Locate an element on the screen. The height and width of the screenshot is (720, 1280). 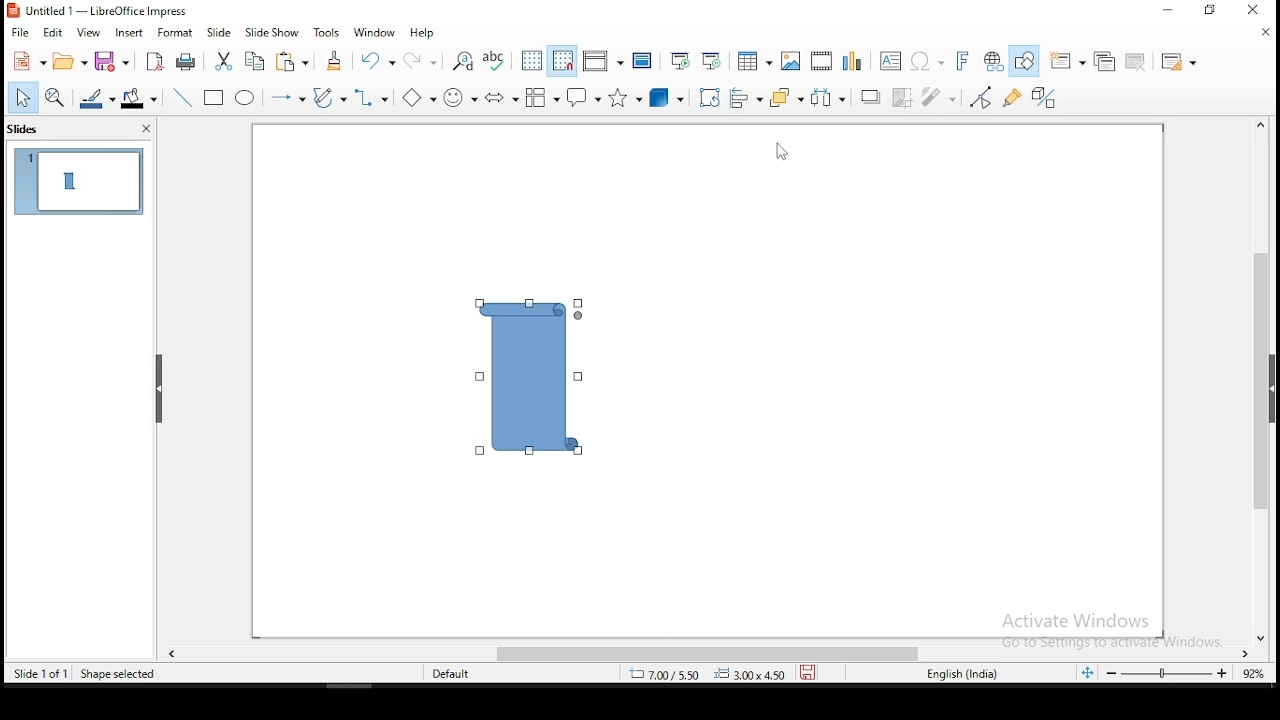
undo is located at coordinates (375, 62).